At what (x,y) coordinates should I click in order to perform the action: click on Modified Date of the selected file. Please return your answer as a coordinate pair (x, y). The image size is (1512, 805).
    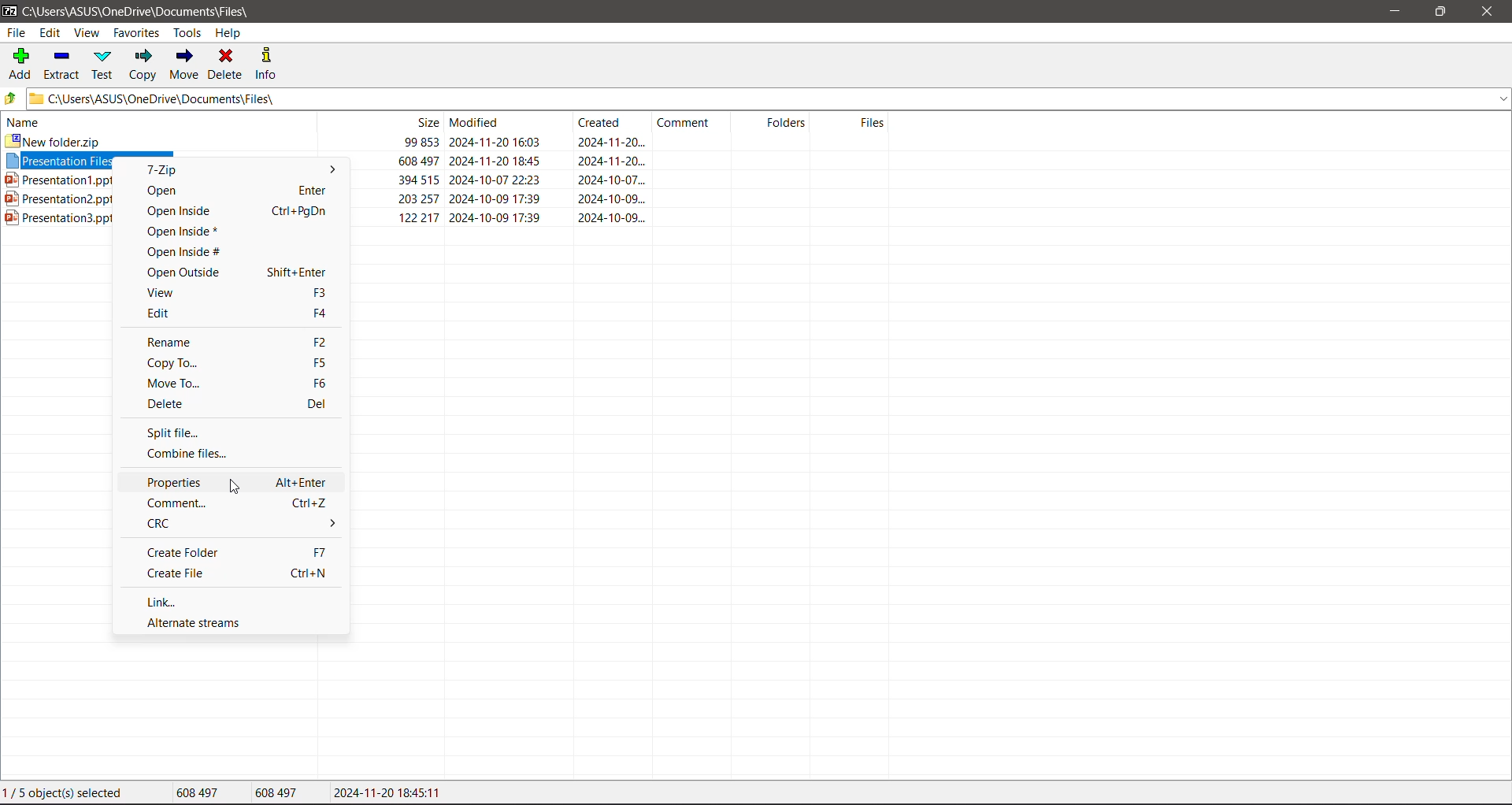
    Looking at the image, I should click on (390, 793).